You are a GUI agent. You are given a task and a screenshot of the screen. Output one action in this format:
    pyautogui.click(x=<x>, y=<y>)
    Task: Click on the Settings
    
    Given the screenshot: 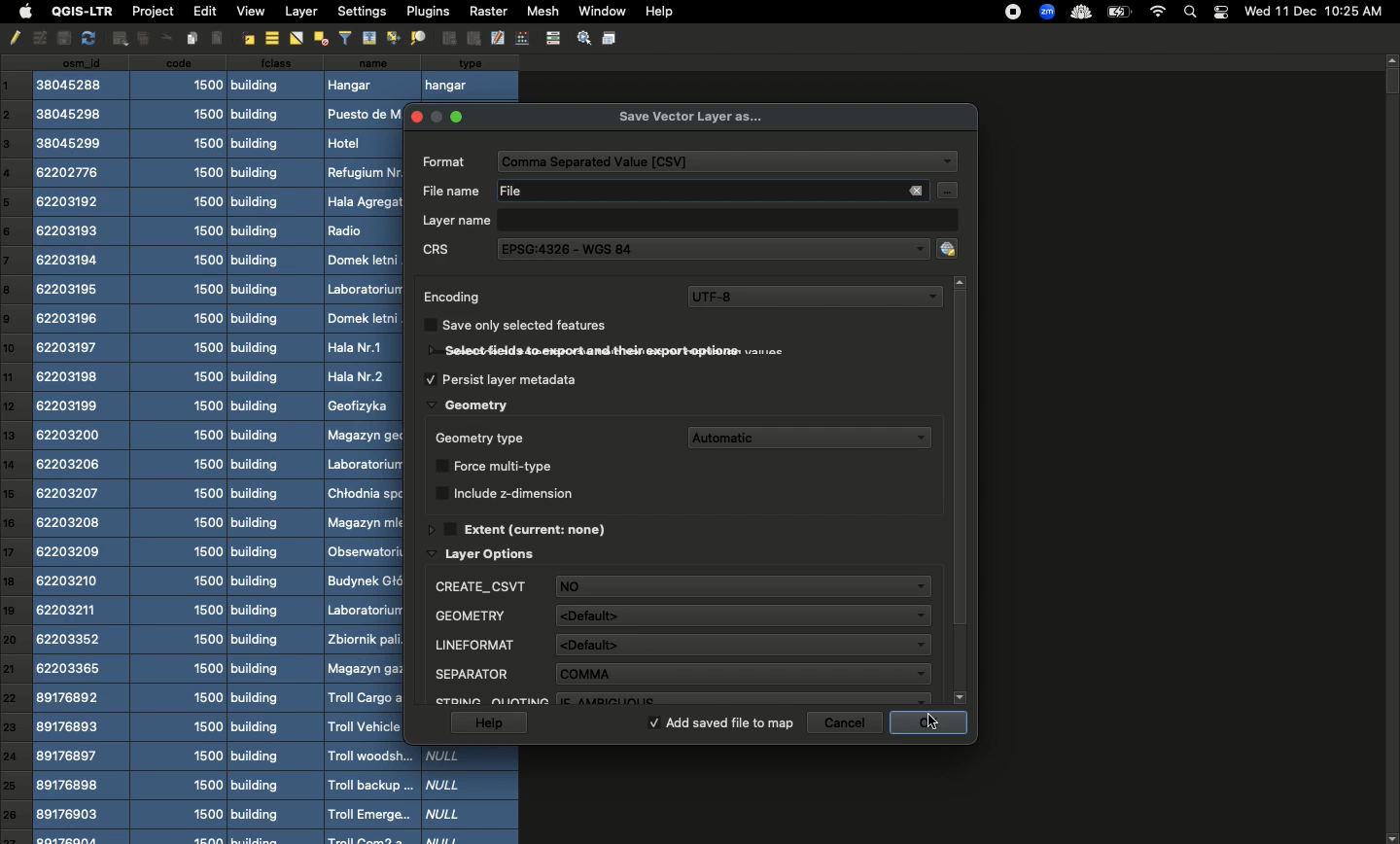 What is the action you would take?
    pyautogui.click(x=361, y=11)
    